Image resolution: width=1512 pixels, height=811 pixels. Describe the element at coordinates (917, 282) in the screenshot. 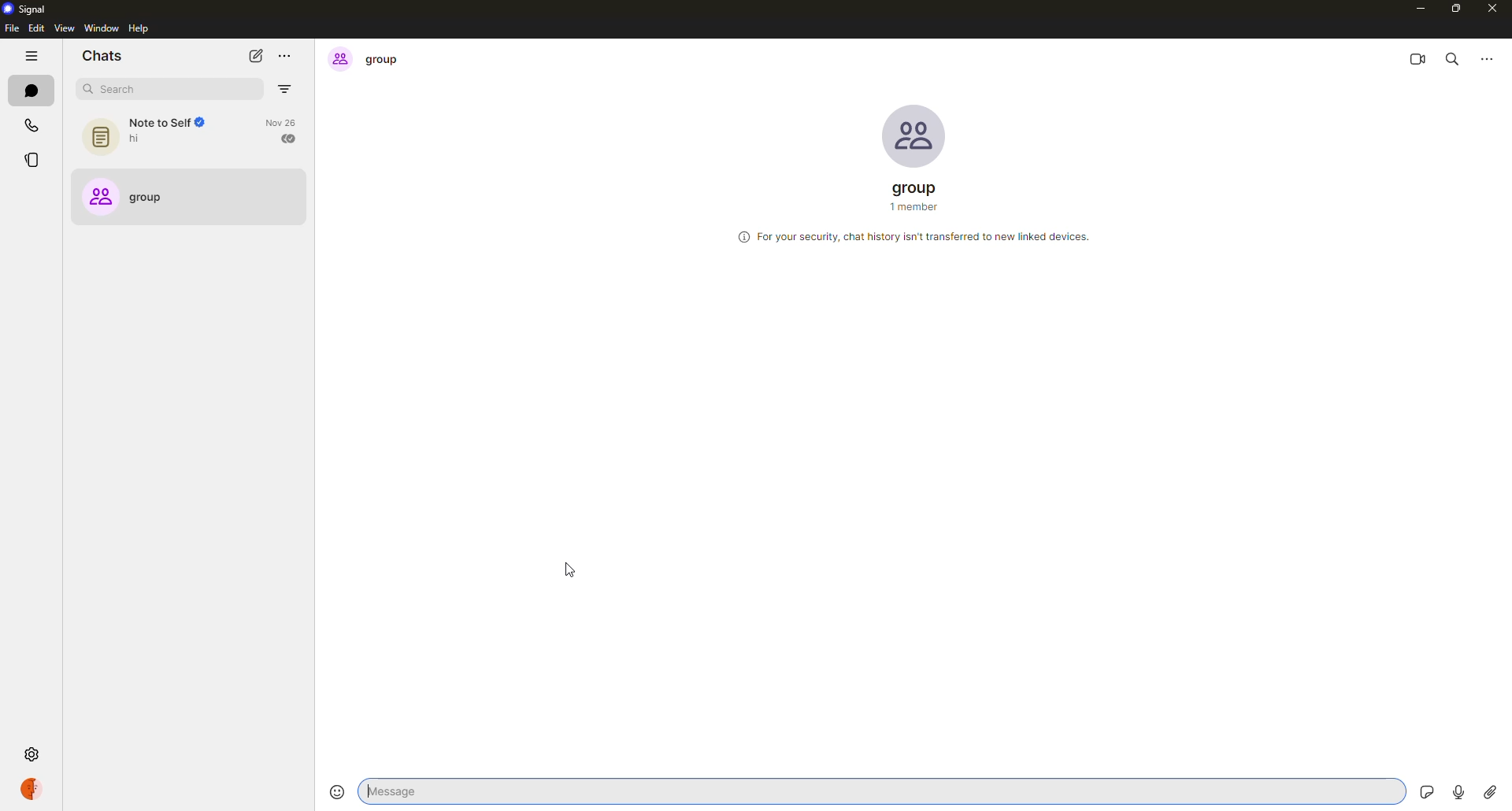

I see `date` at that location.